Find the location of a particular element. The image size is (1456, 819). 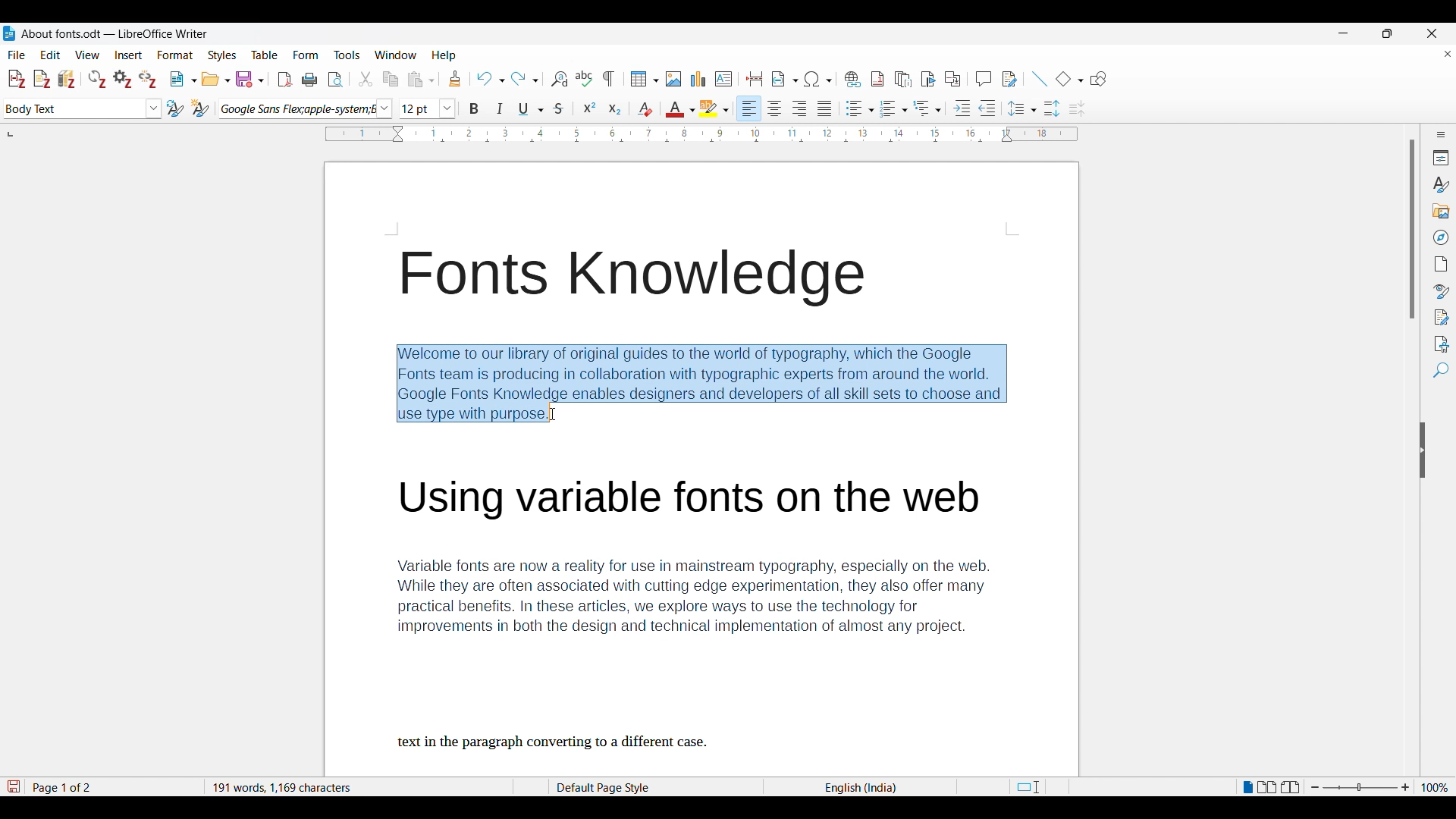

Vertical slide bar is located at coordinates (1413, 230).